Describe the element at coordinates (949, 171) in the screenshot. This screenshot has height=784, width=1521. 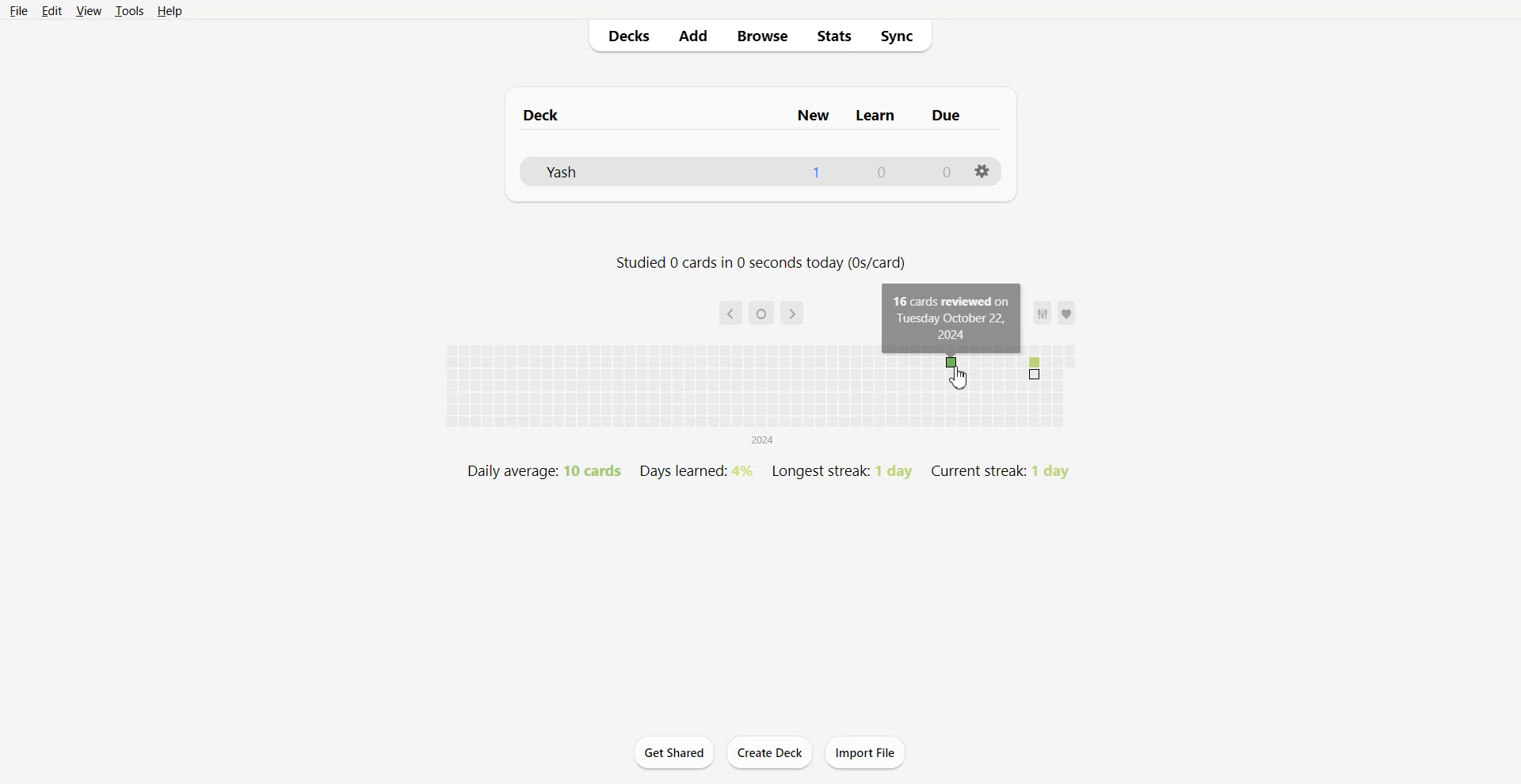
I see `0` at that location.